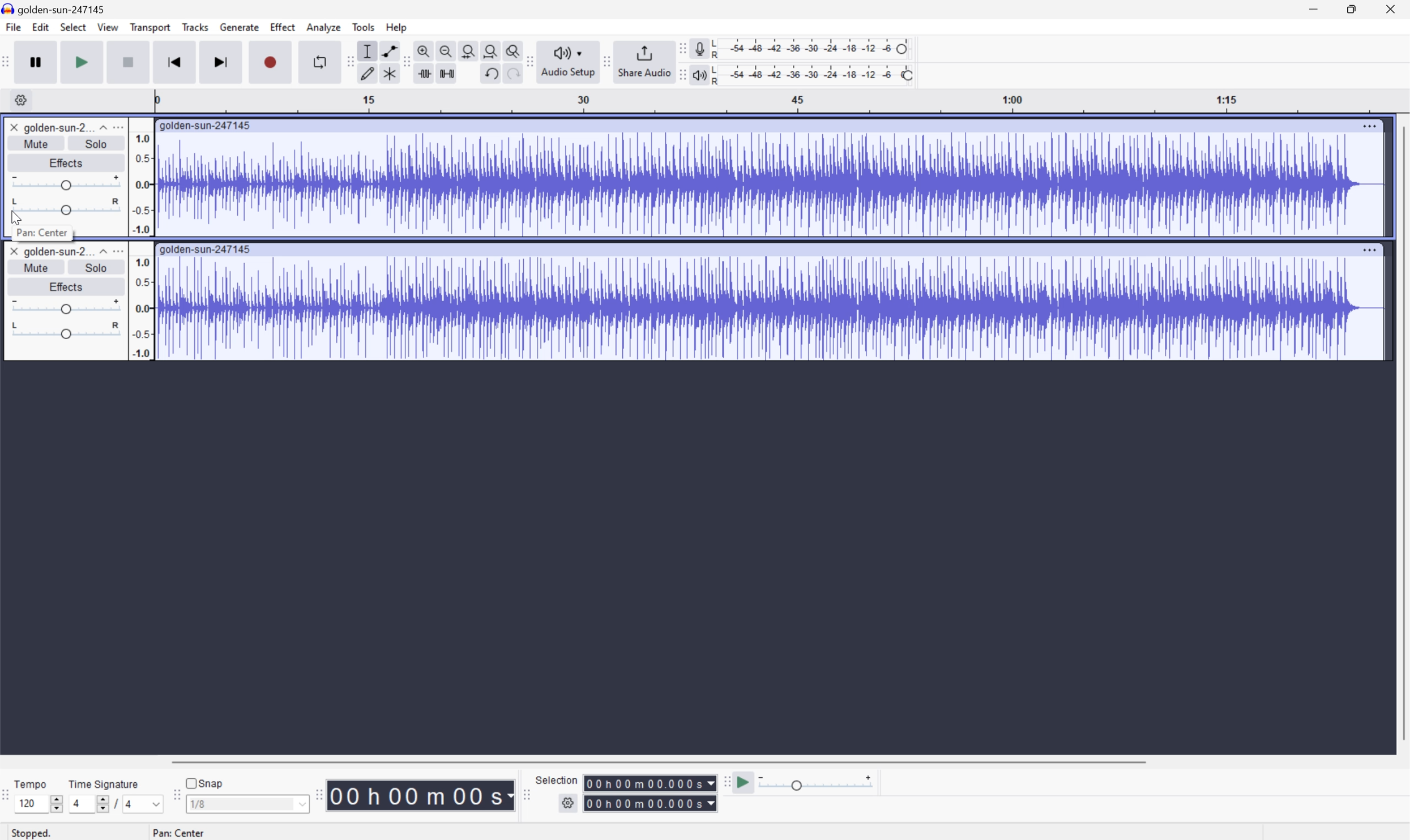  Describe the element at coordinates (142, 248) in the screenshot. I see `Frequencies` at that location.